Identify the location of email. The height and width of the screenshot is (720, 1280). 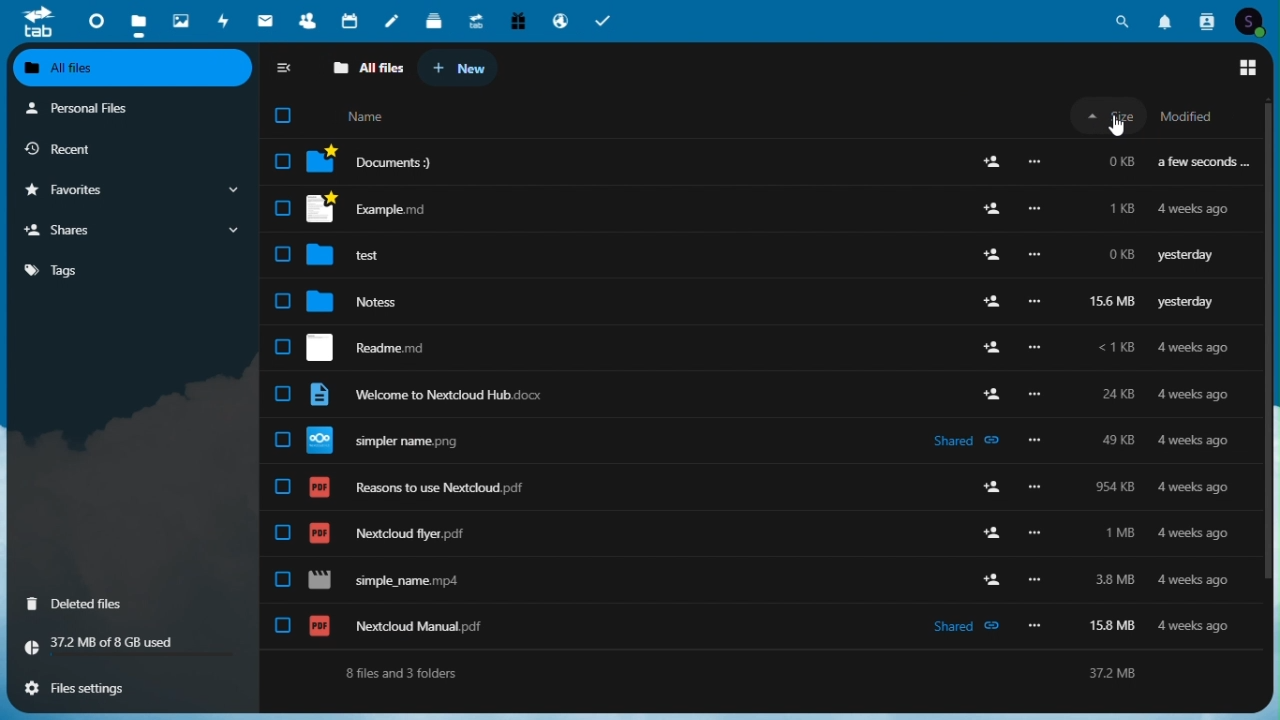
(265, 21).